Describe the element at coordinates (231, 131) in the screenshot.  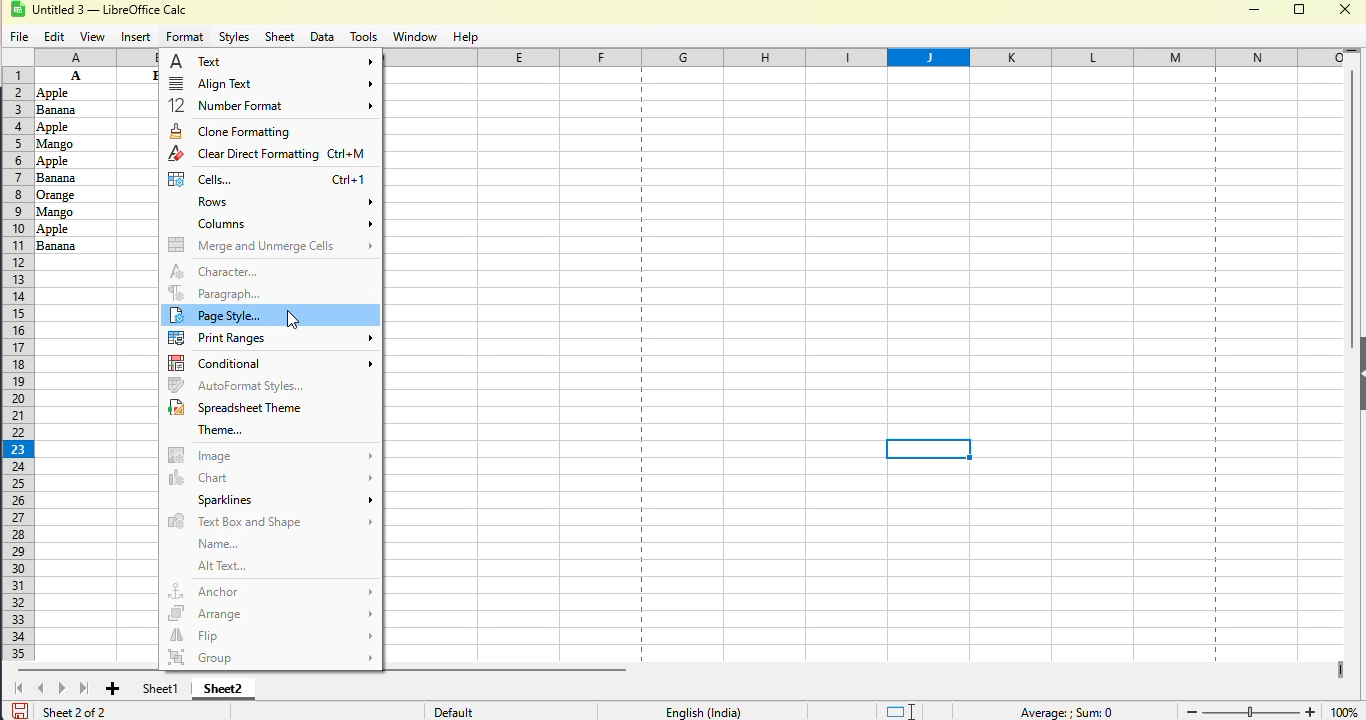
I see `clone formatting` at that location.